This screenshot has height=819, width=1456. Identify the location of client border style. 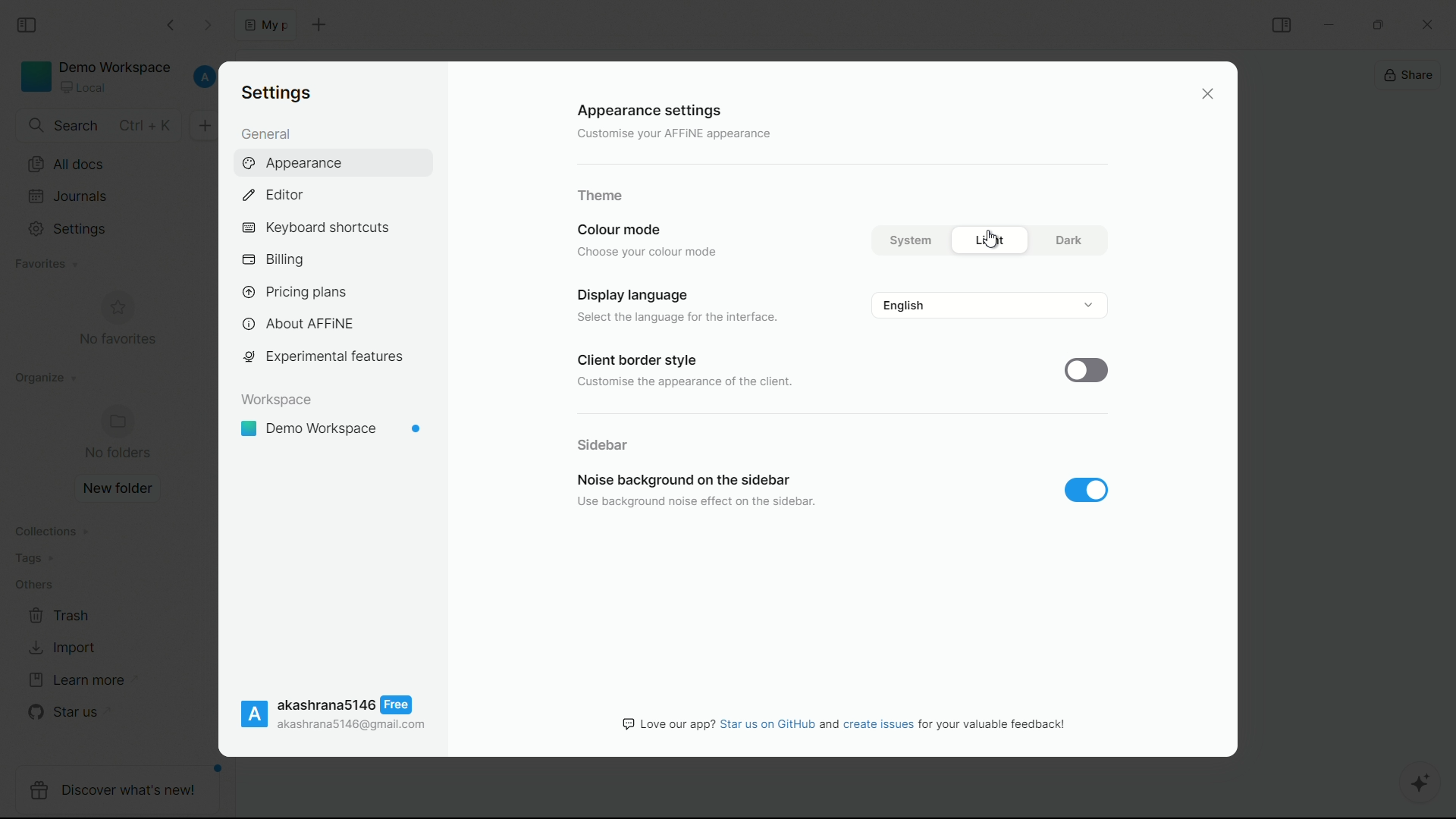
(634, 362).